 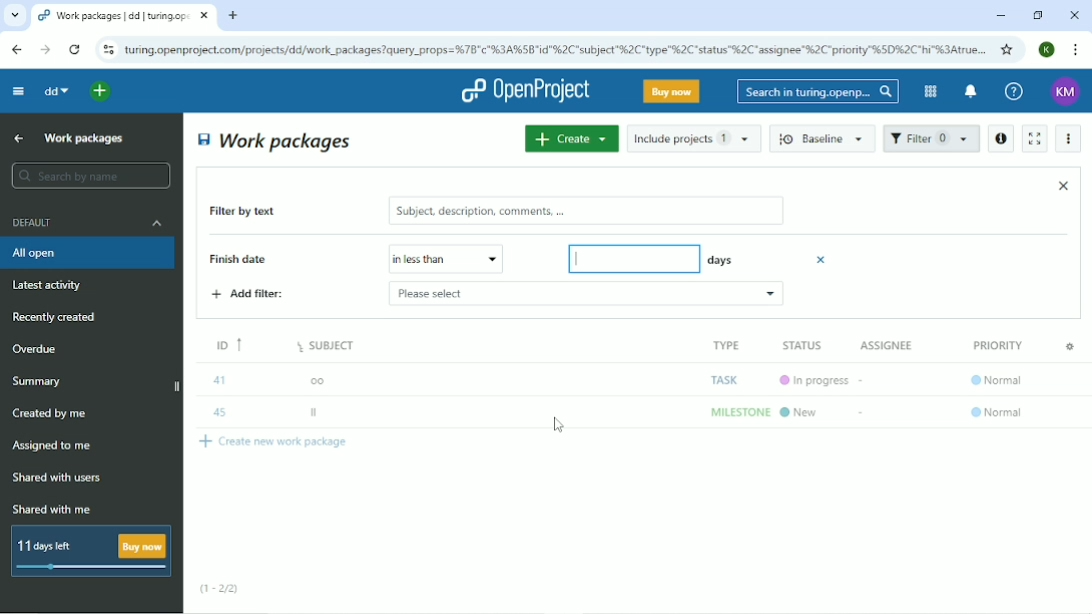 I want to click on typing cursor, so click(x=578, y=257).